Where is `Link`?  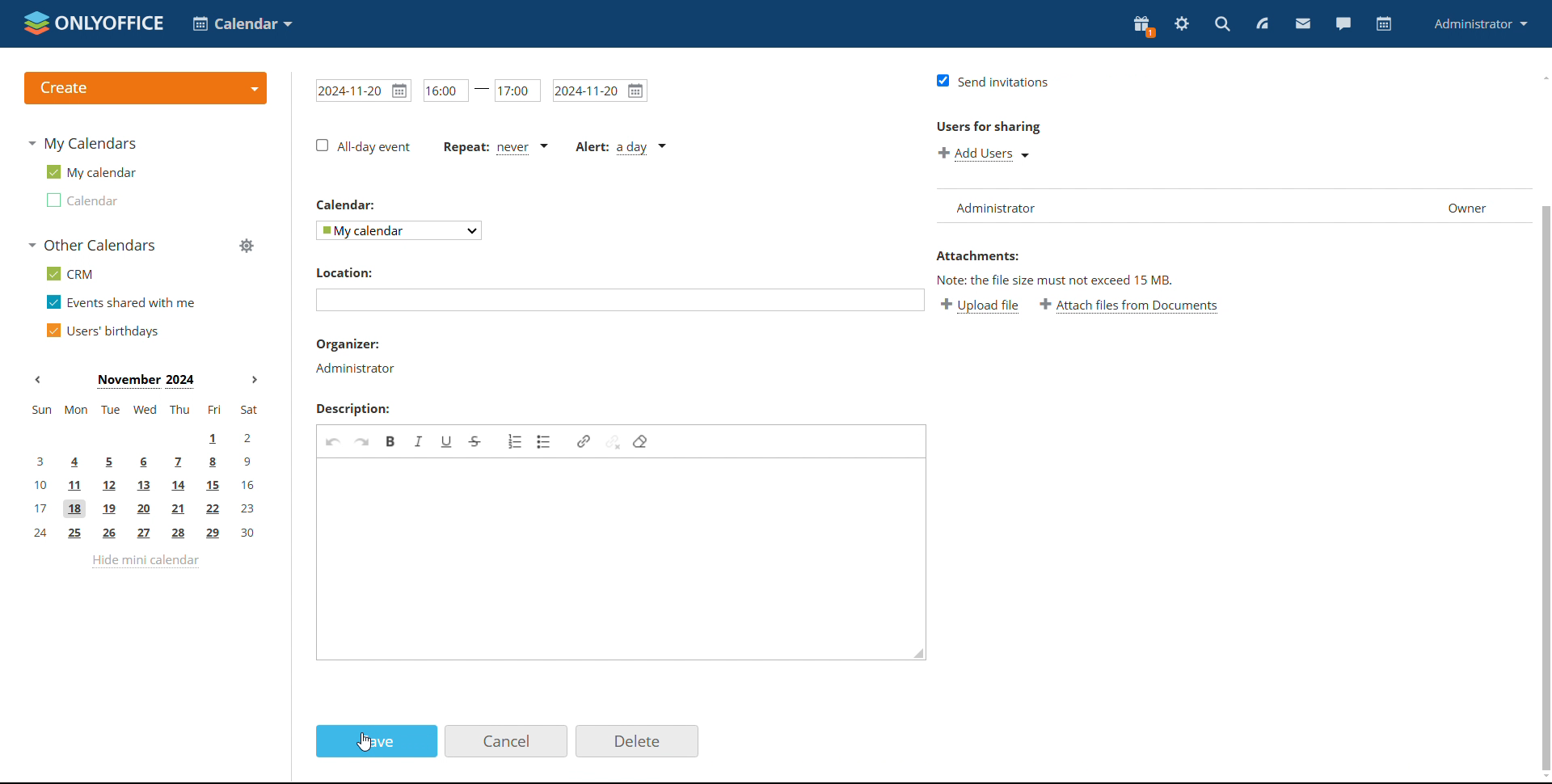
Link is located at coordinates (584, 442).